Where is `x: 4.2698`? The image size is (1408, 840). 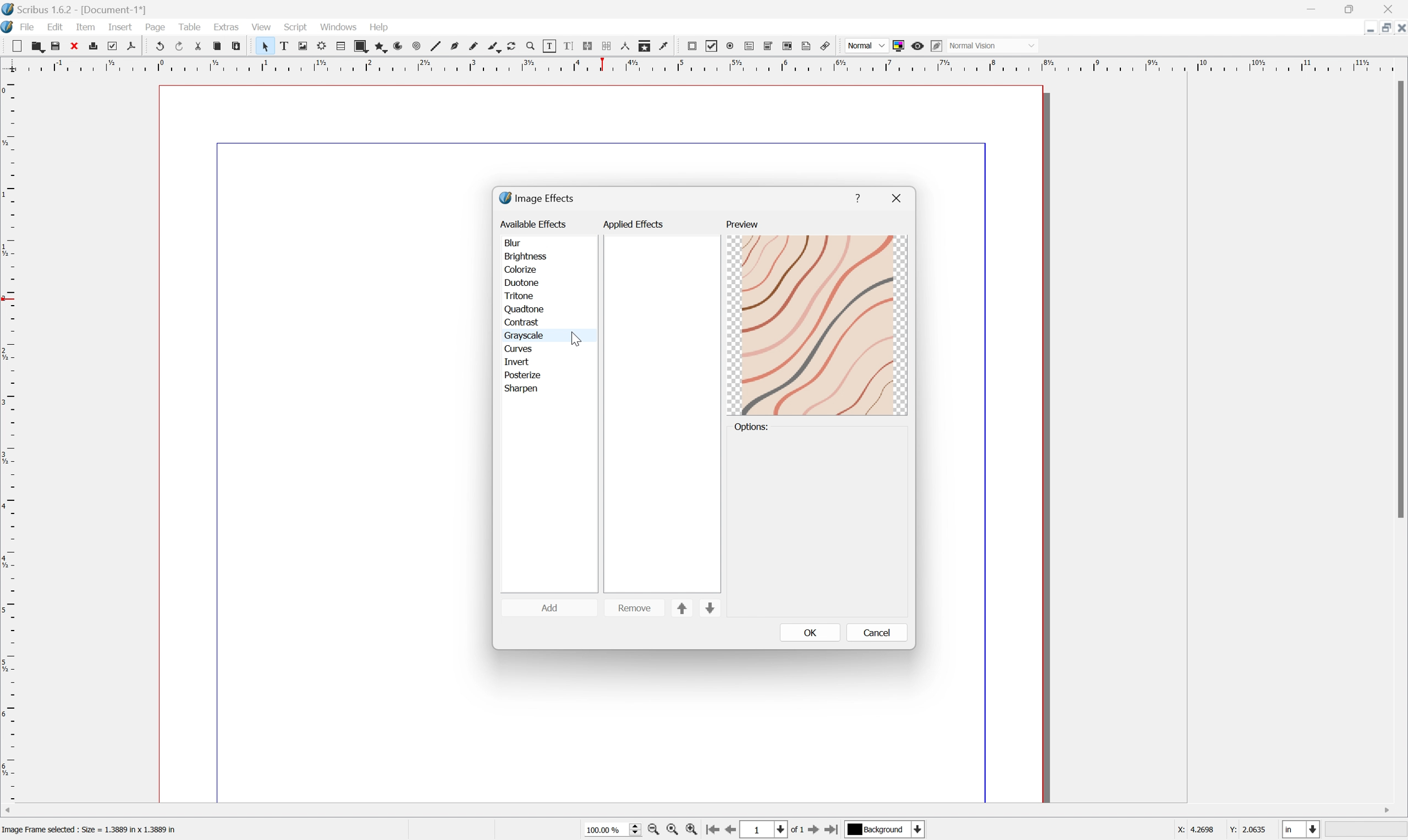 x: 4.2698 is located at coordinates (1192, 830).